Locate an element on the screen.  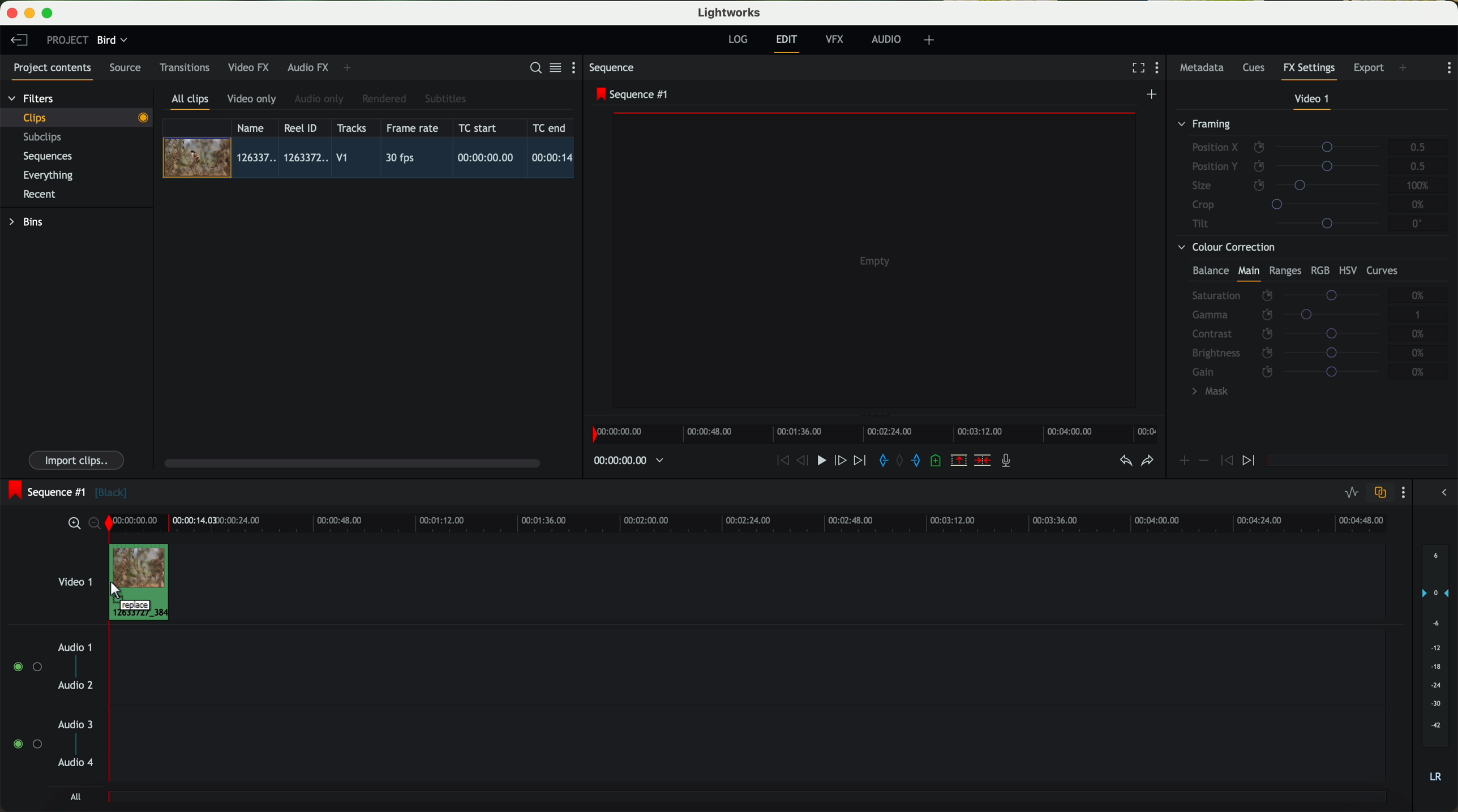
video only is located at coordinates (251, 100).